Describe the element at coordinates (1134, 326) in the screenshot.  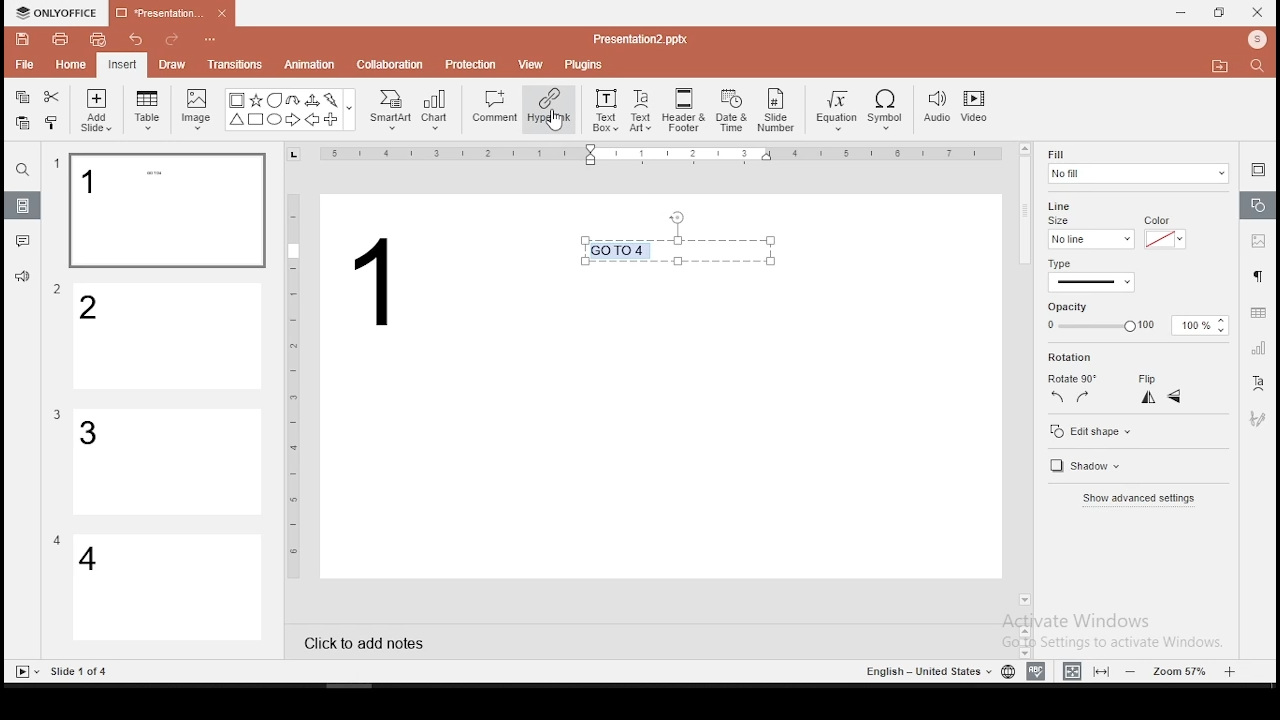
I see `opacity` at that location.